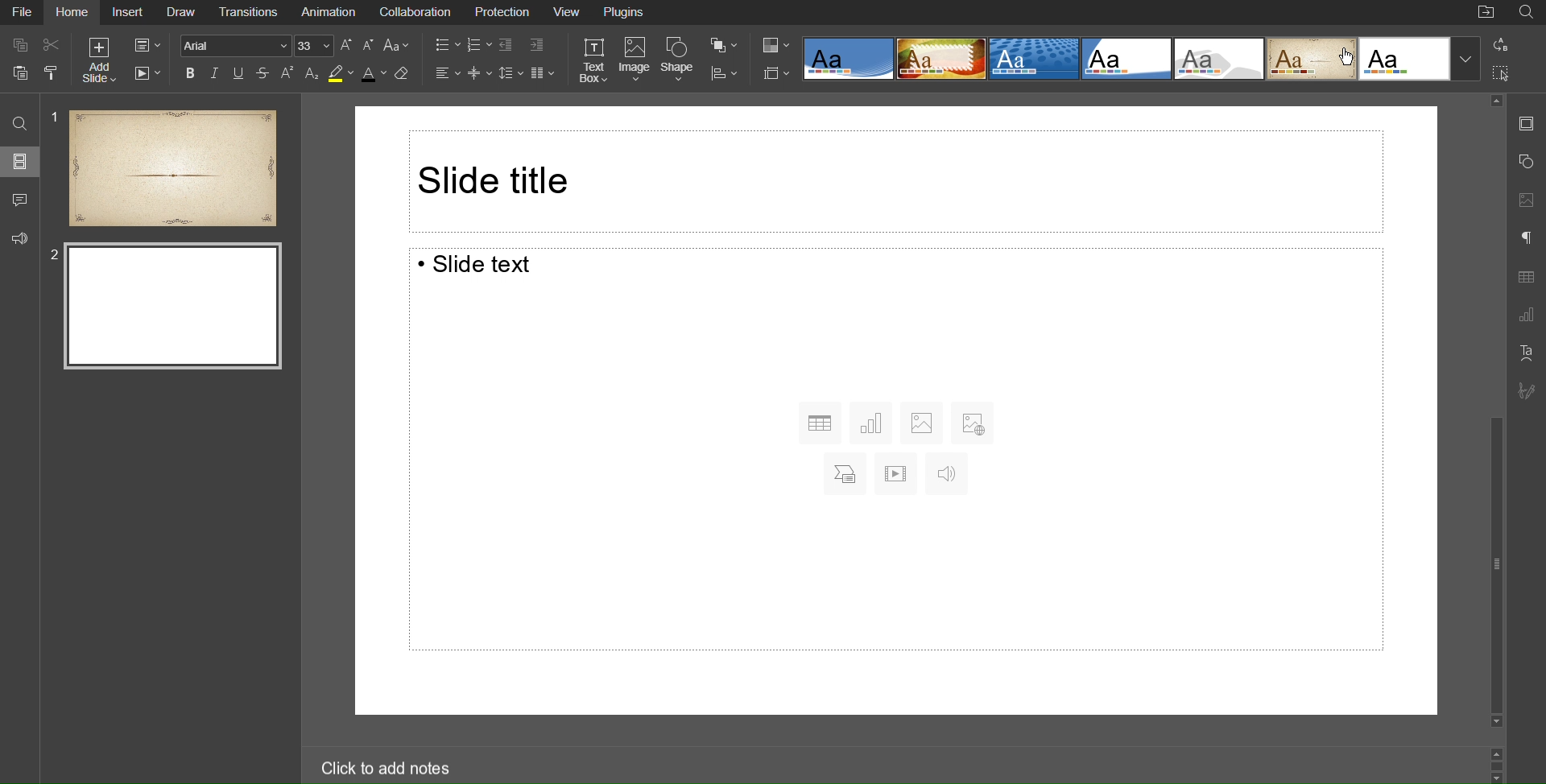 The image size is (1546, 784). I want to click on Draw, so click(184, 13).